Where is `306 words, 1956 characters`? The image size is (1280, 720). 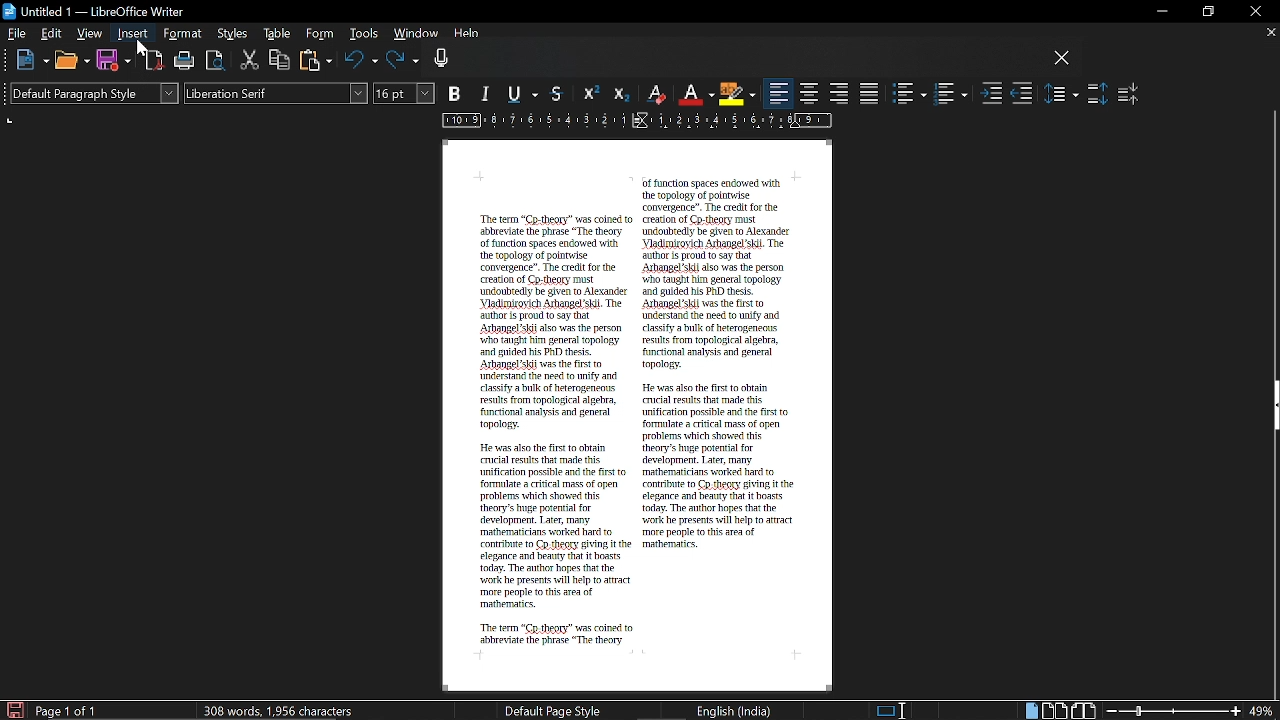
306 words, 1956 characters is located at coordinates (282, 710).